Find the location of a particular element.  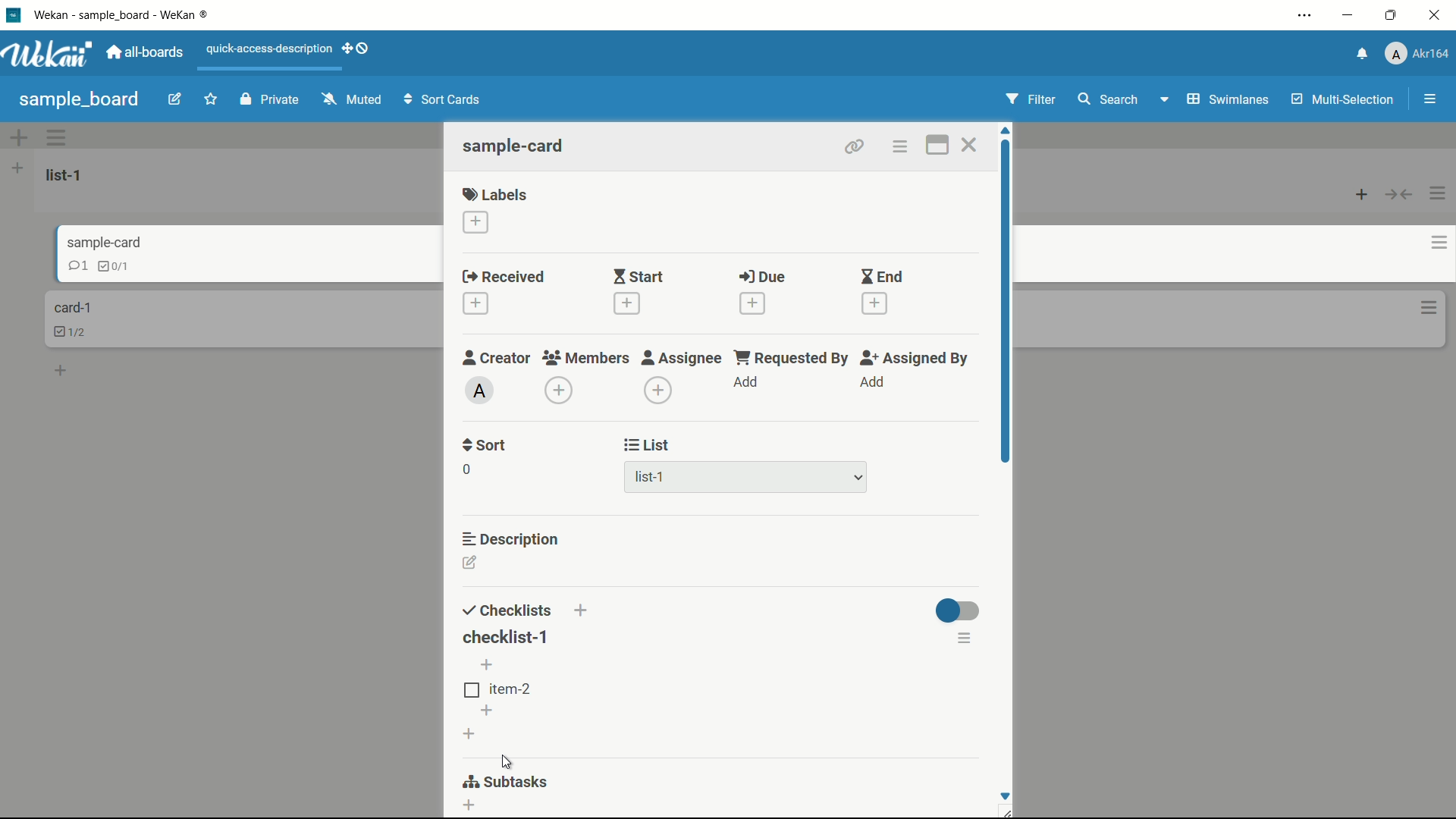

filter is located at coordinates (1031, 99).